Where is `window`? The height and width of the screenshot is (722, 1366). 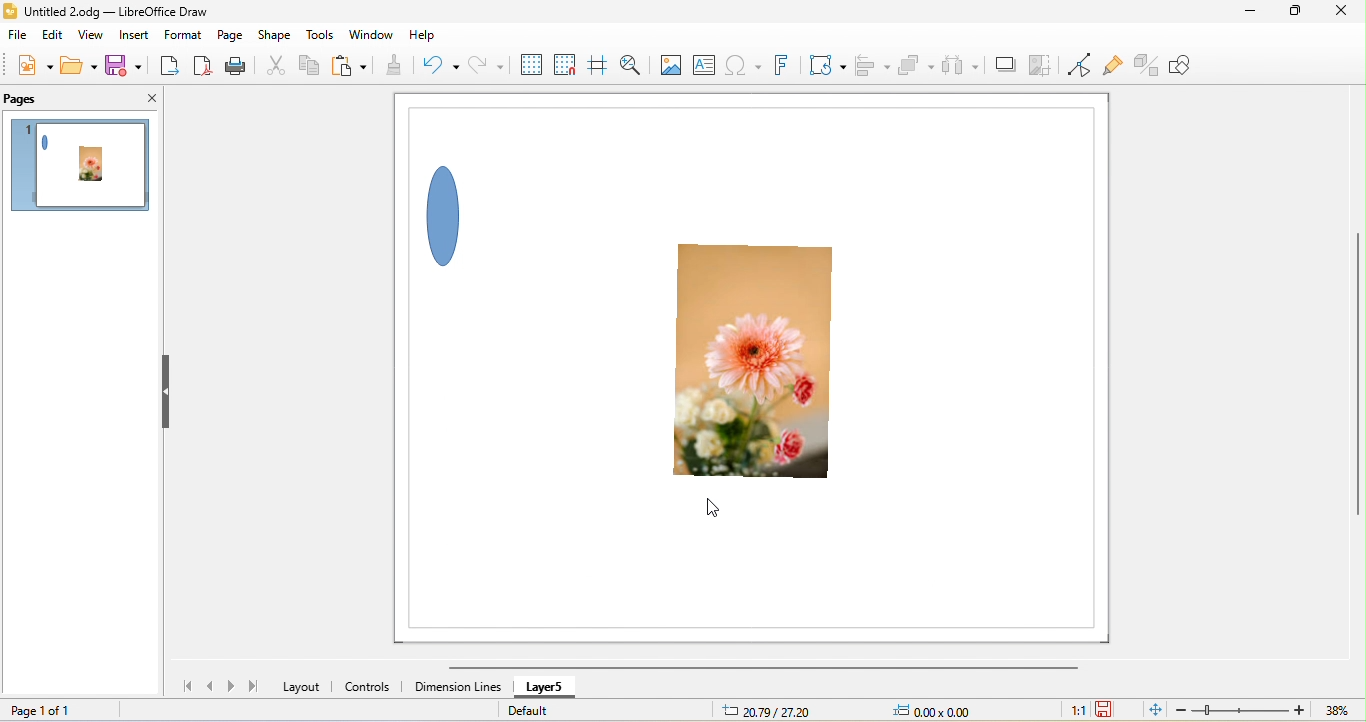
window is located at coordinates (370, 35).